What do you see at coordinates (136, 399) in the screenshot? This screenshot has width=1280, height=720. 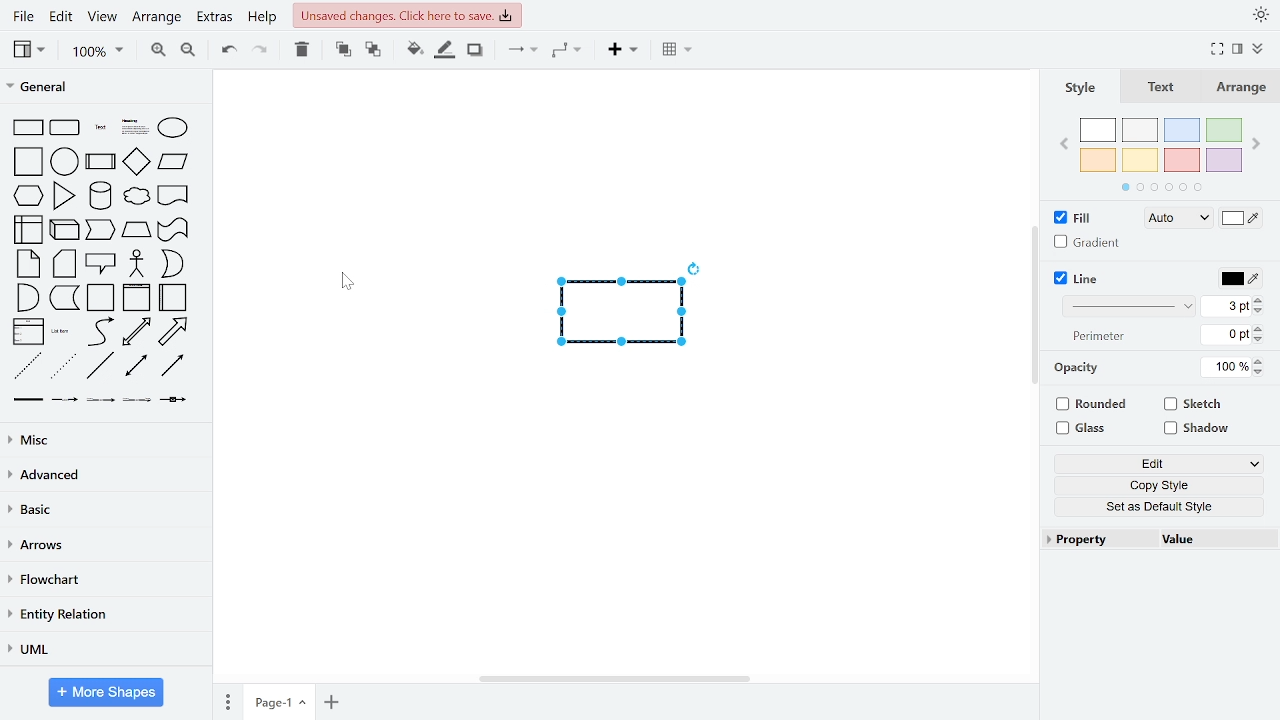 I see `general shapes` at bounding box center [136, 399].